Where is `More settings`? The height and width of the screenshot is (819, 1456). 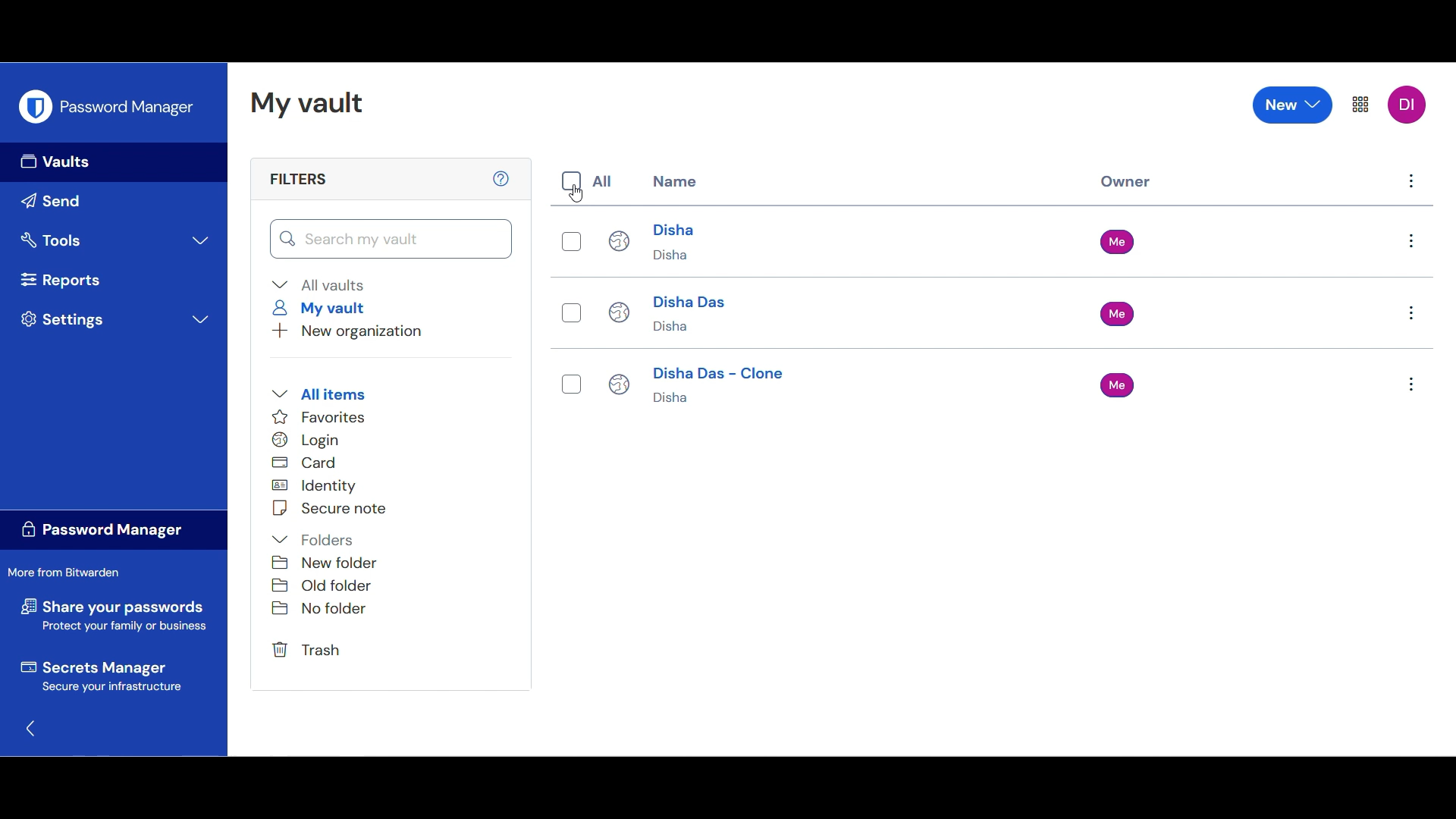 More settings is located at coordinates (1360, 105).